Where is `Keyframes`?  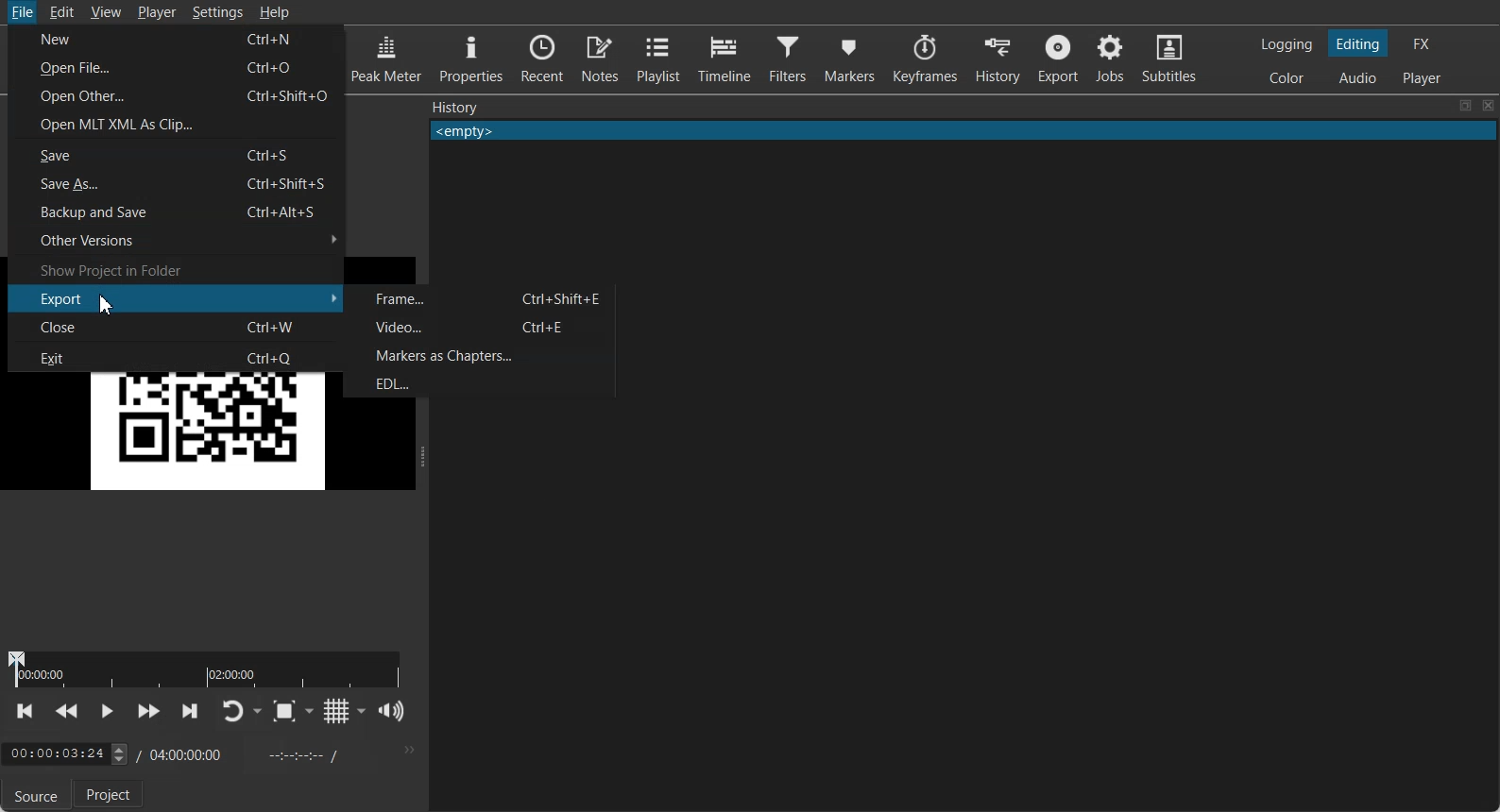
Keyframes is located at coordinates (927, 59).